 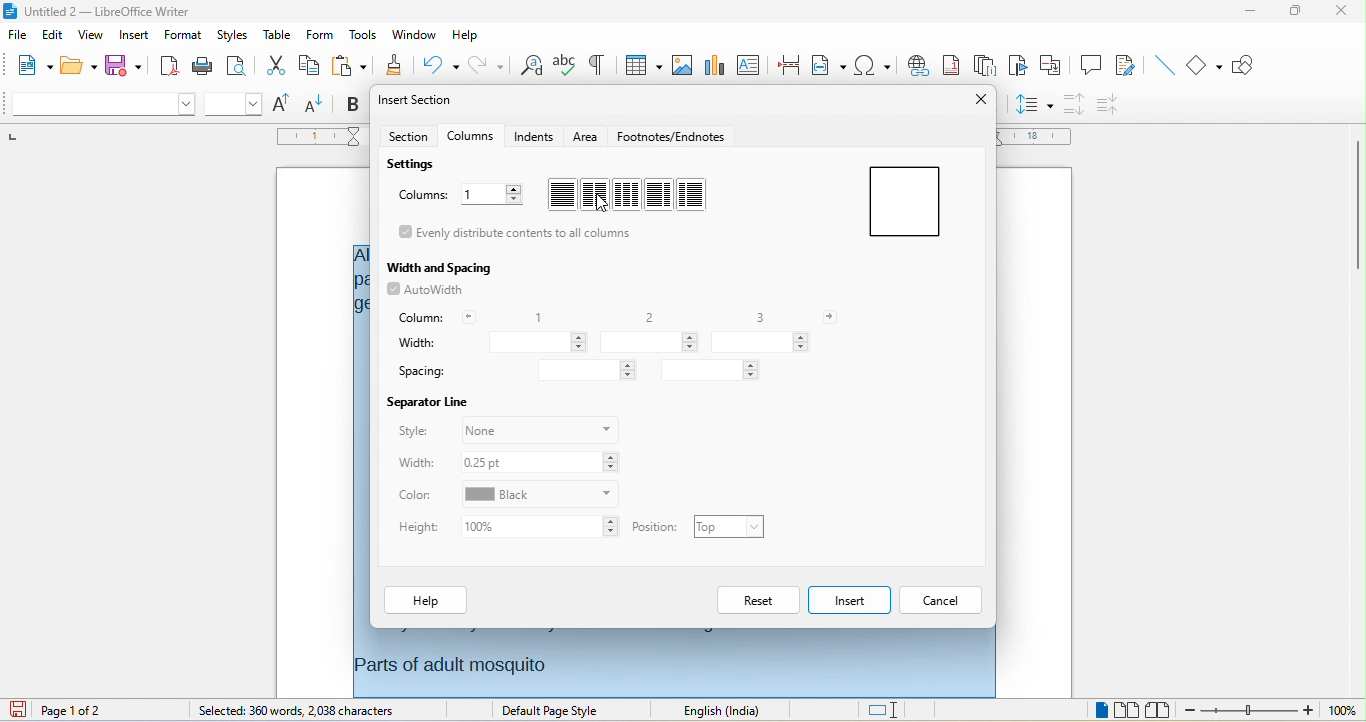 What do you see at coordinates (1090, 64) in the screenshot?
I see `comment` at bounding box center [1090, 64].